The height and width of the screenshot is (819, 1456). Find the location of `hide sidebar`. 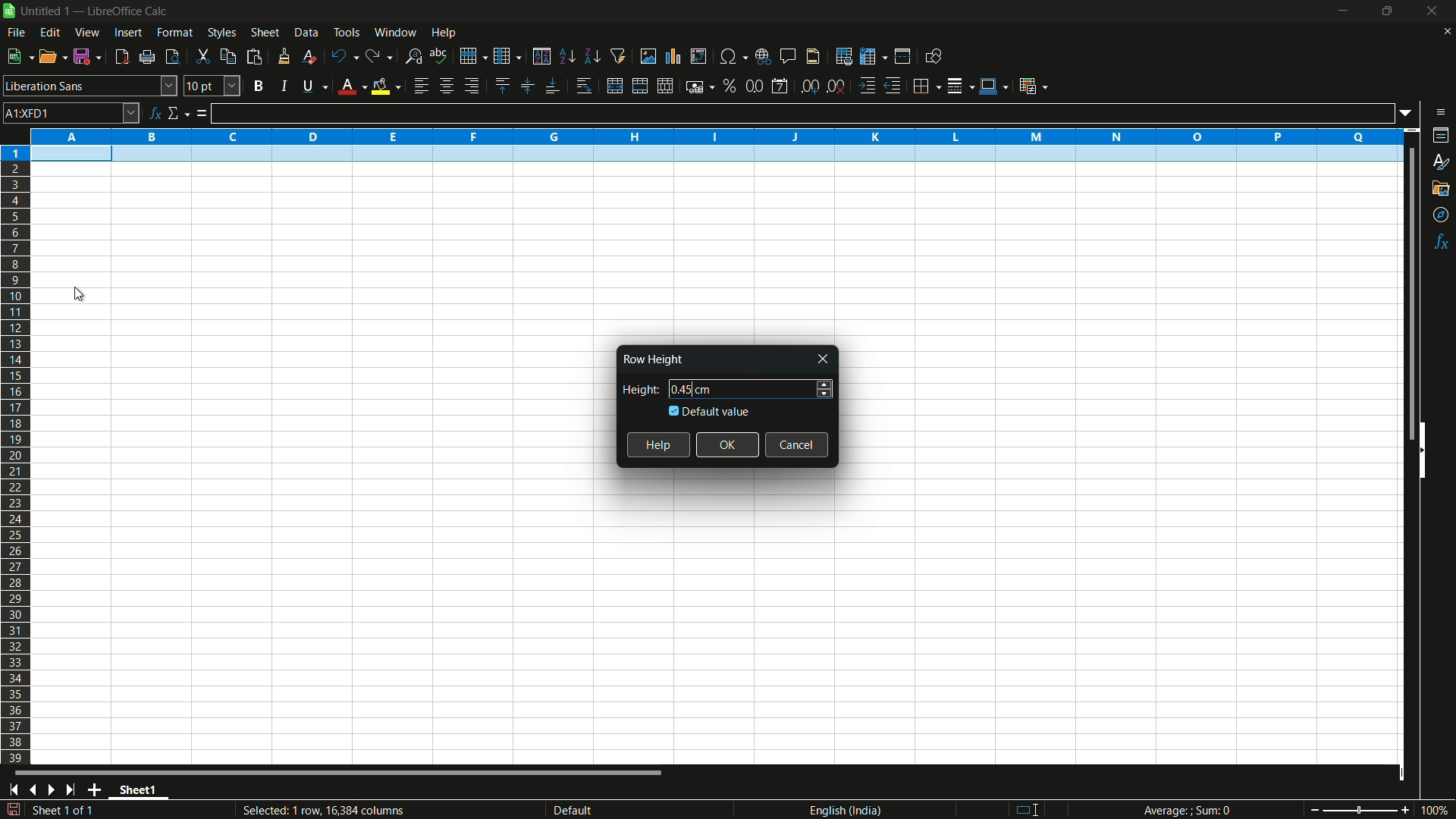

hide sidebar is located at coordinates (1429, 449).